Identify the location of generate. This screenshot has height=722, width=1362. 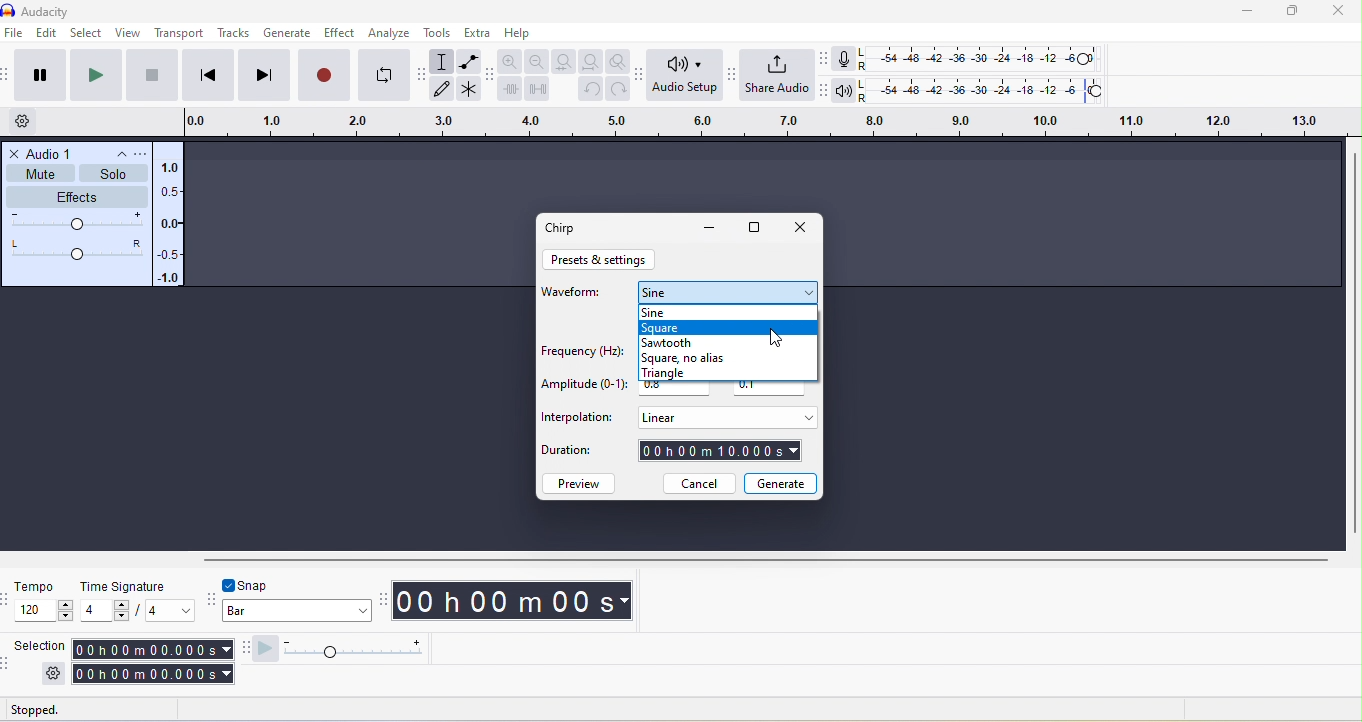
(286, 34).